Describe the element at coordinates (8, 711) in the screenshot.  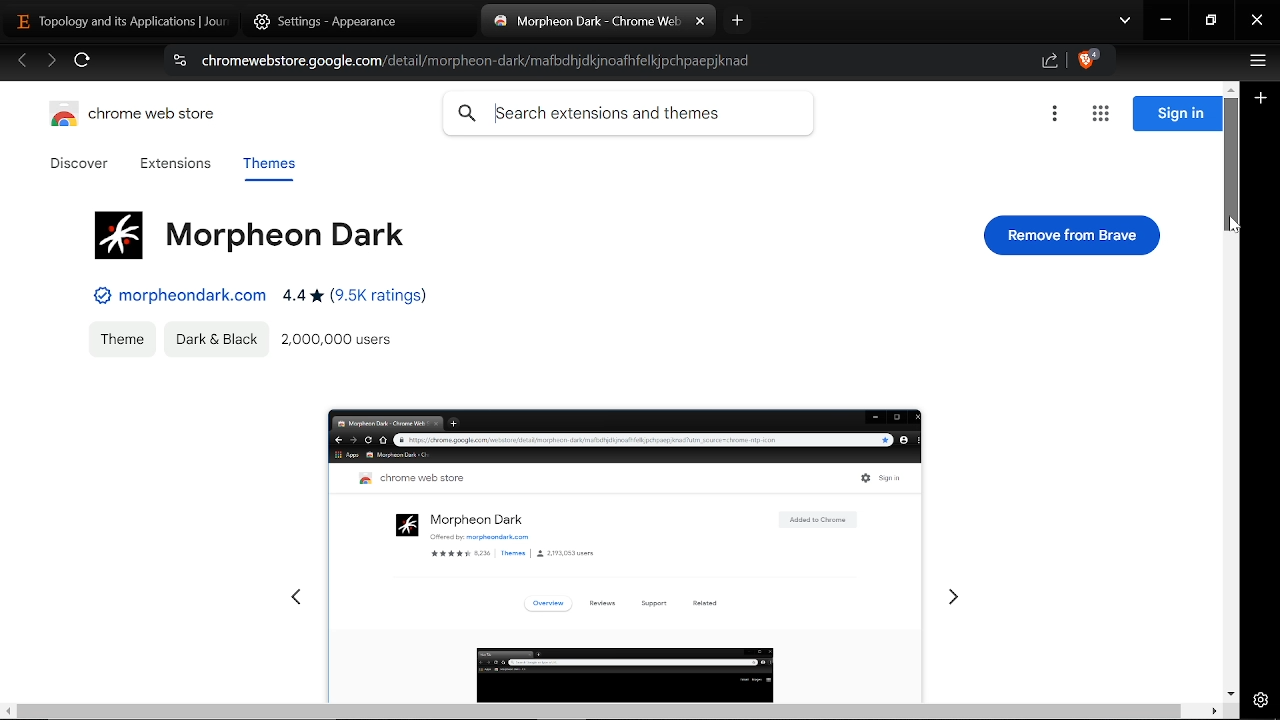
I see `Move left` at that location.